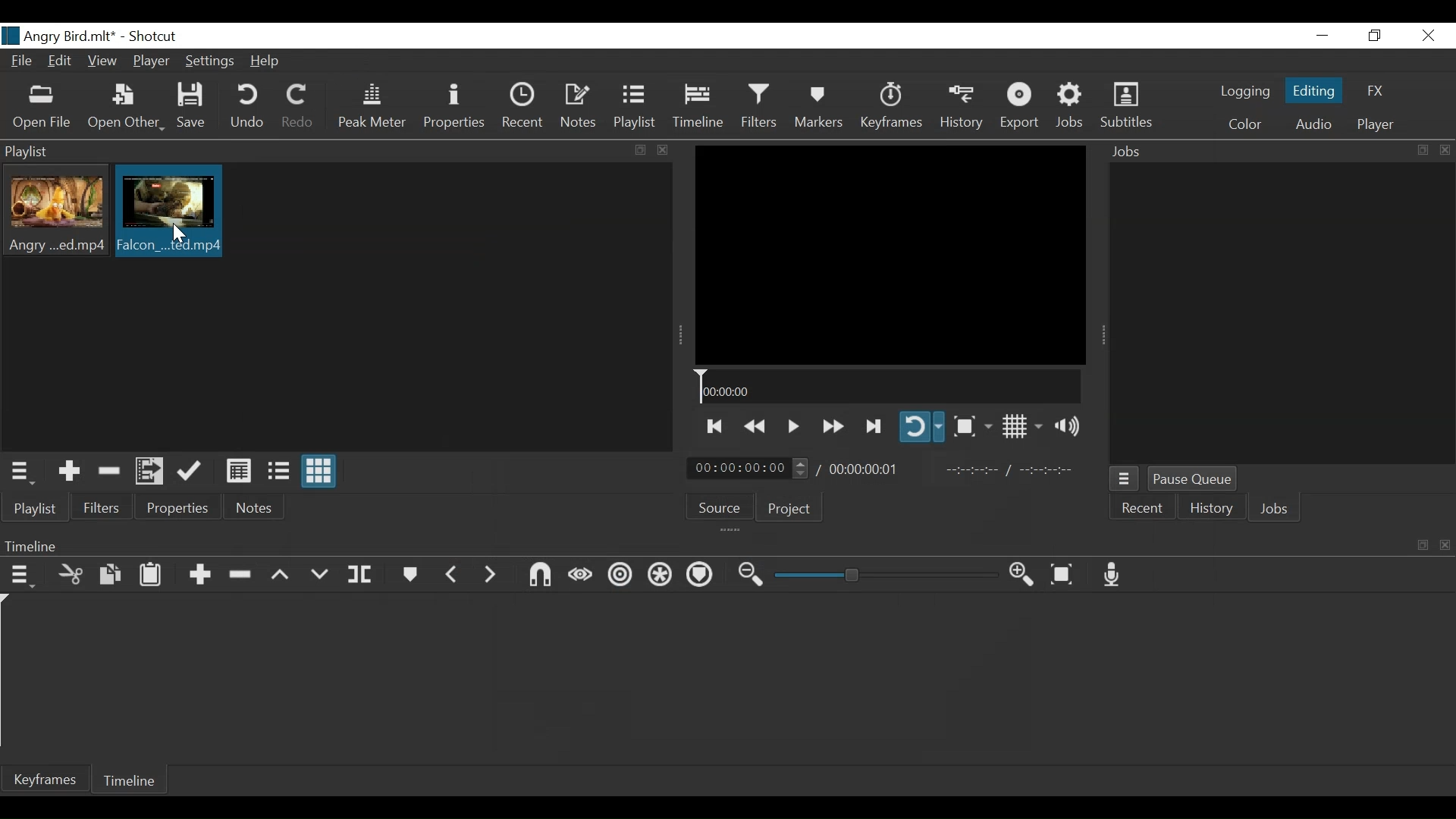 Image resolution: width=1456 pixels, height=819 pixels. Describe the element at coordinates (1020, 107) in the screenshot. I see `Export` at that location.